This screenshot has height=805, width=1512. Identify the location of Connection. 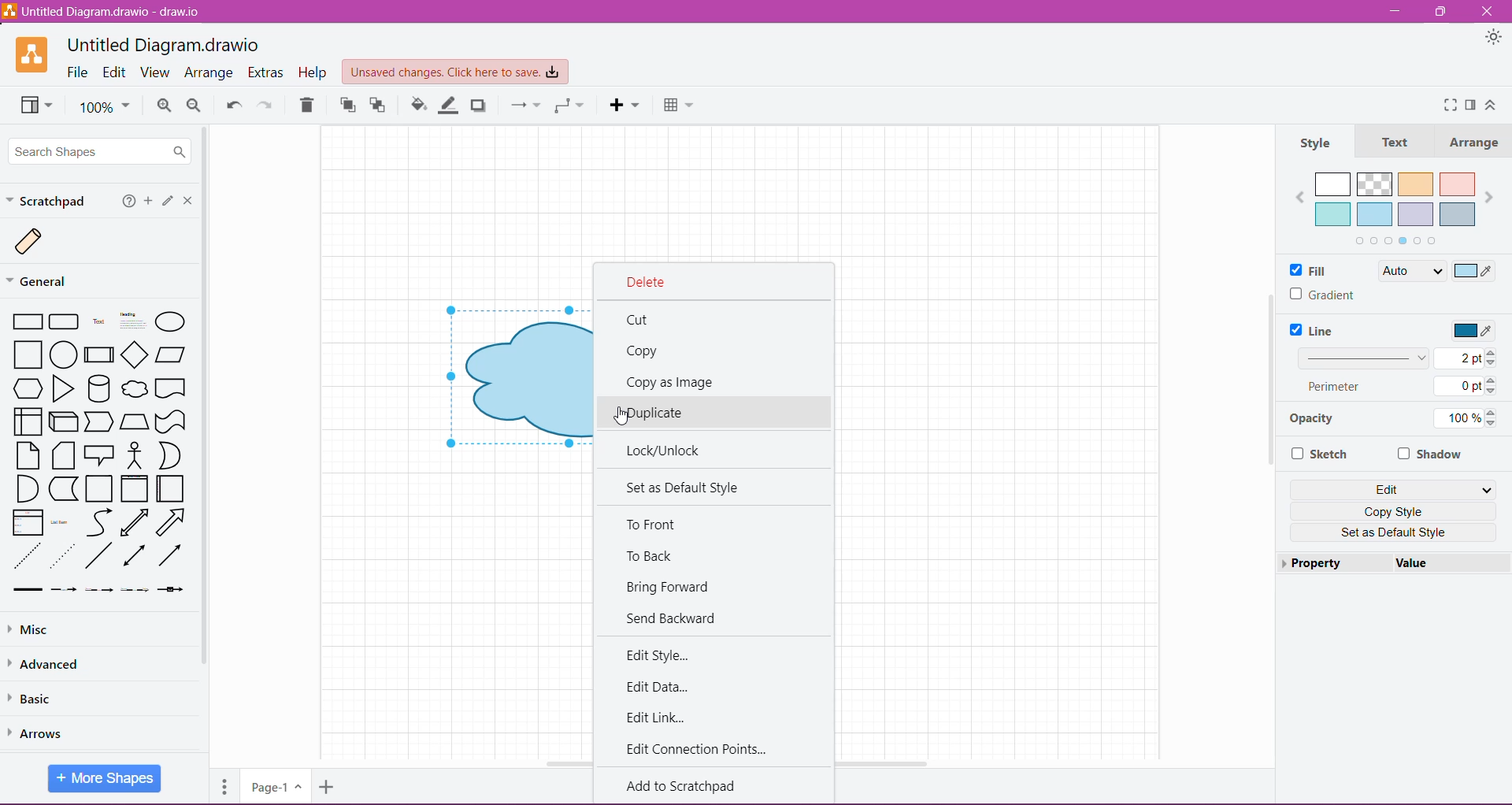
(524, 106).